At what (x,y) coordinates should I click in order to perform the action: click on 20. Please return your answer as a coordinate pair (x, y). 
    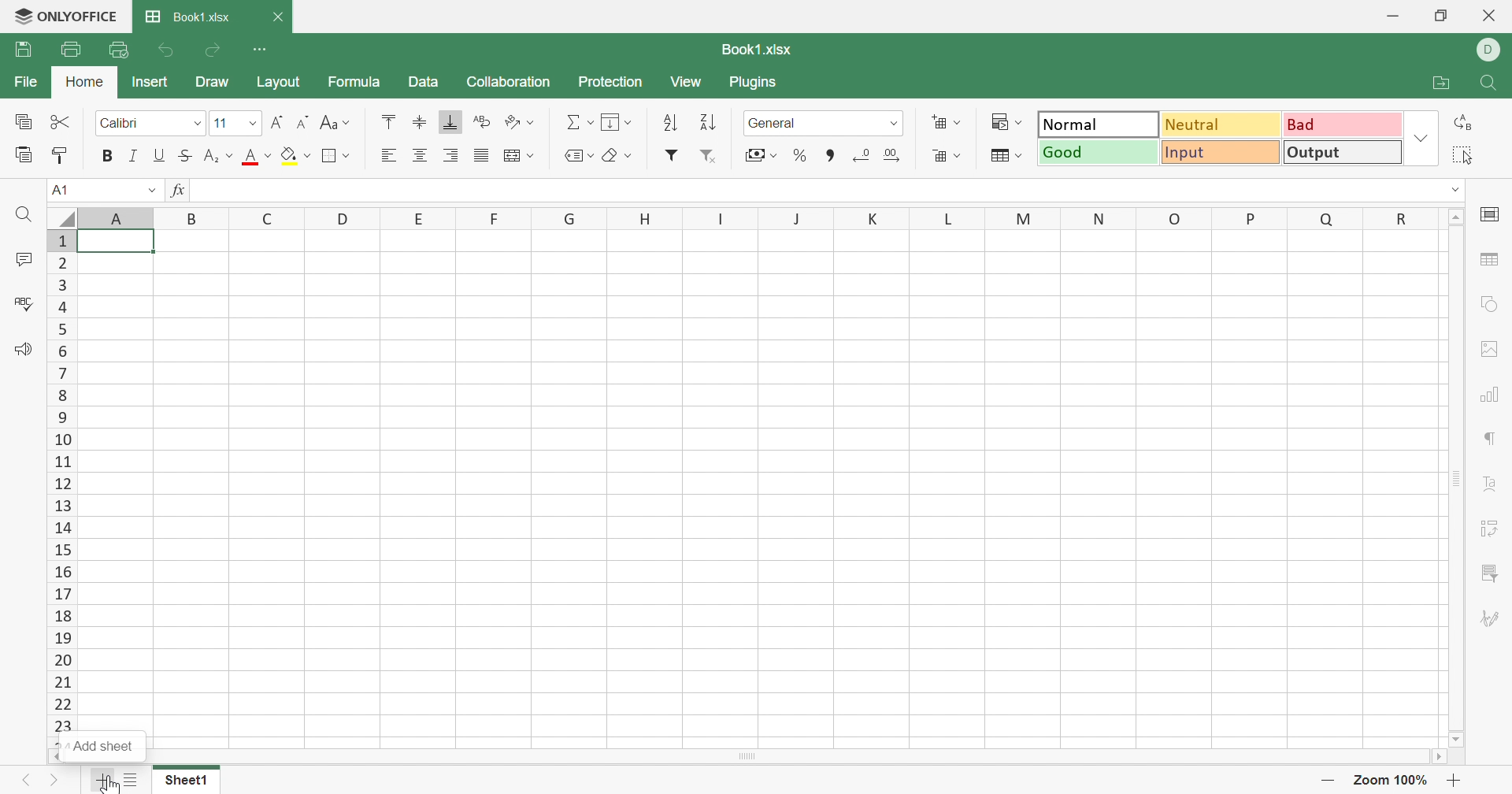
    Looking at the image, I should click on (61, 661).